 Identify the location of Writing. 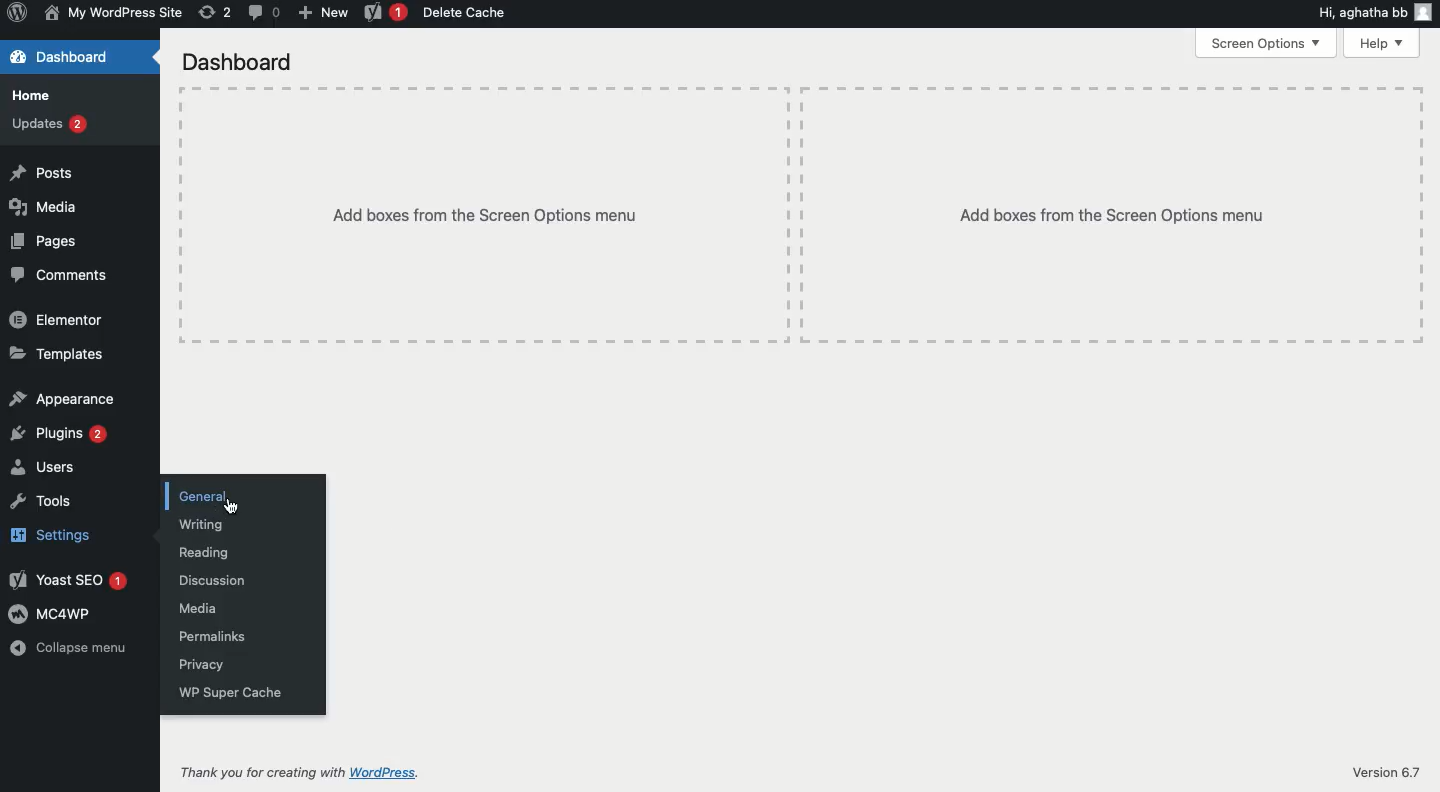
(199, 524).